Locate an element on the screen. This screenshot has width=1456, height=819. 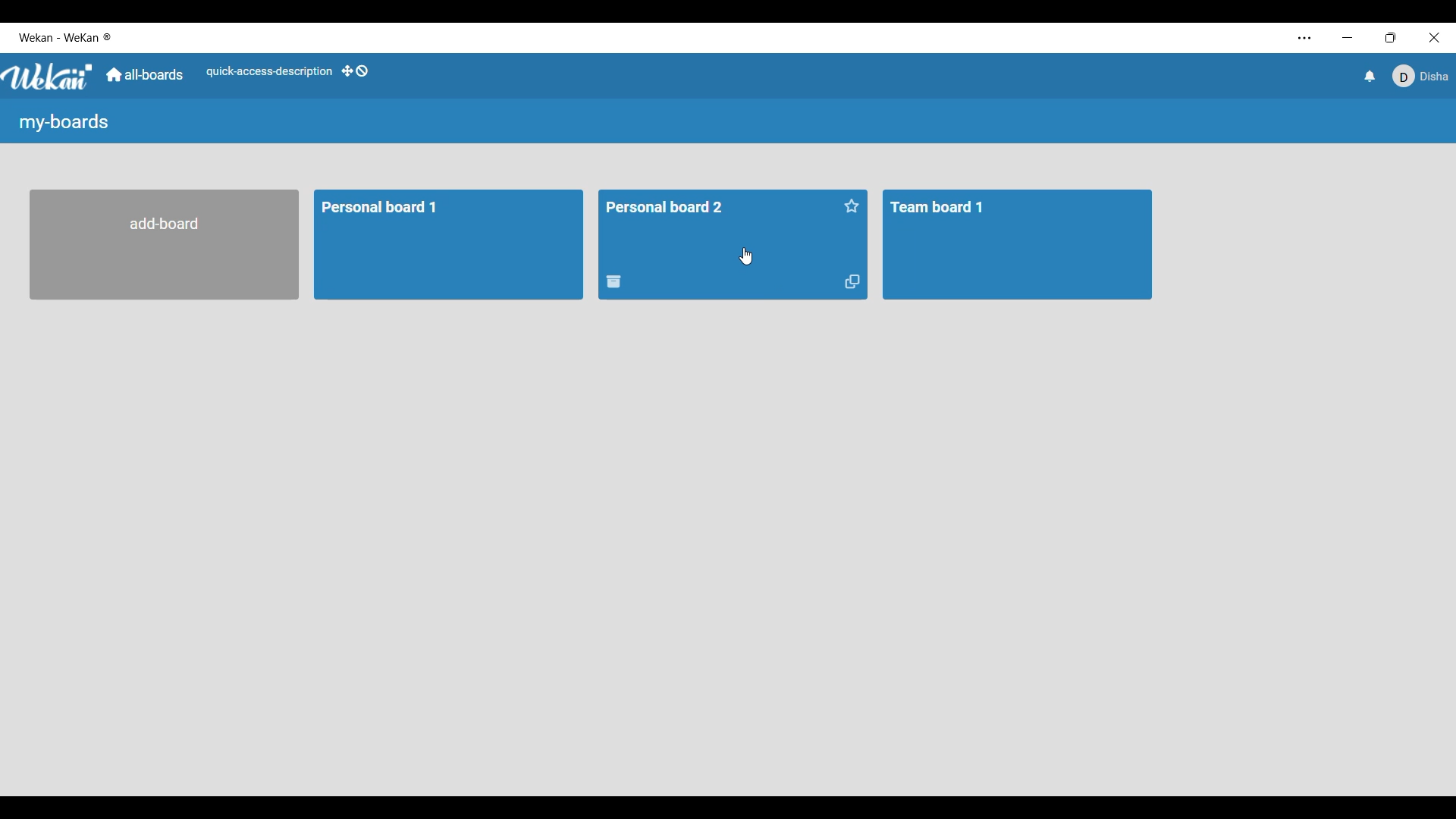
Minimize is located at coordinates (1348, 37).